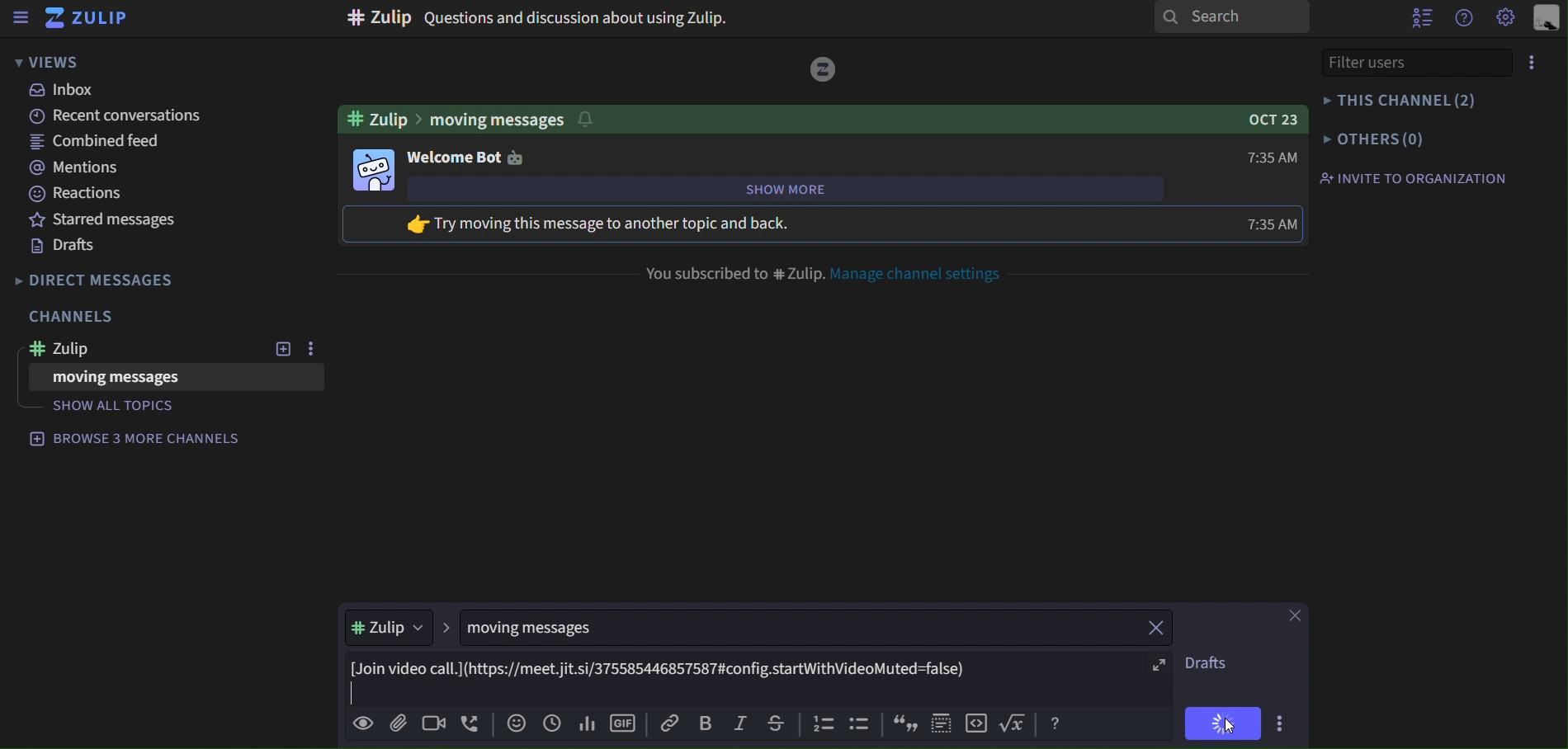 This screenshot has width=1568, height=749. Describe the element at coordinates (1233, 17) in the screenshot. I see `search` at that location.